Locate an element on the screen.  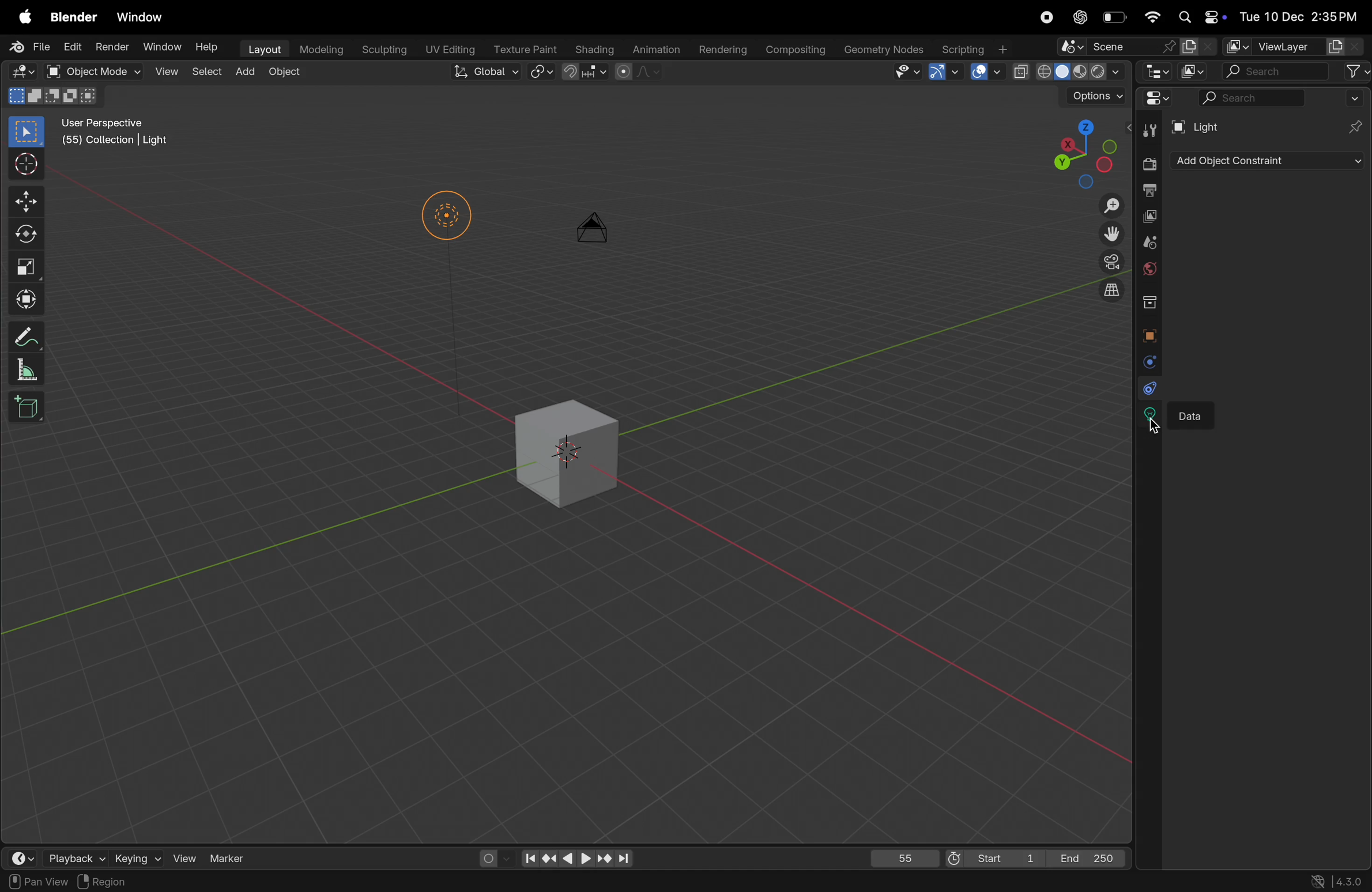
window is located at coordinates (142, 17).